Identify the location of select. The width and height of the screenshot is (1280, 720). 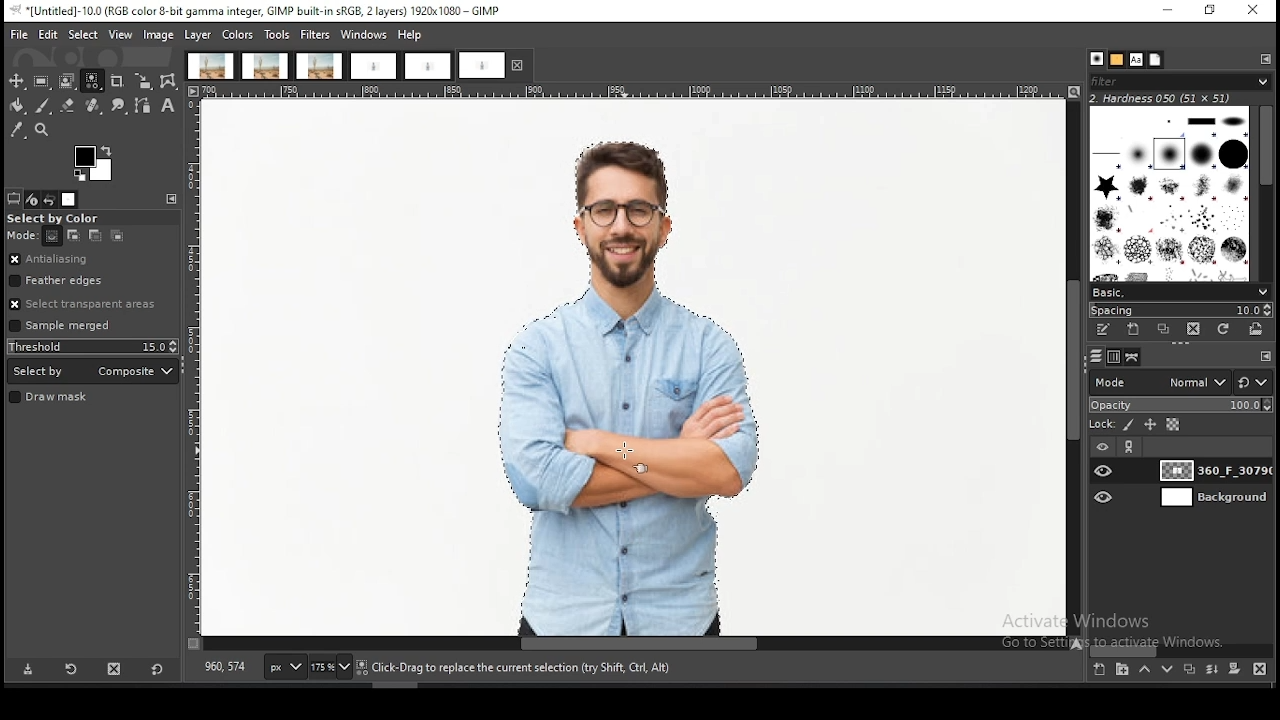
(85, 34).